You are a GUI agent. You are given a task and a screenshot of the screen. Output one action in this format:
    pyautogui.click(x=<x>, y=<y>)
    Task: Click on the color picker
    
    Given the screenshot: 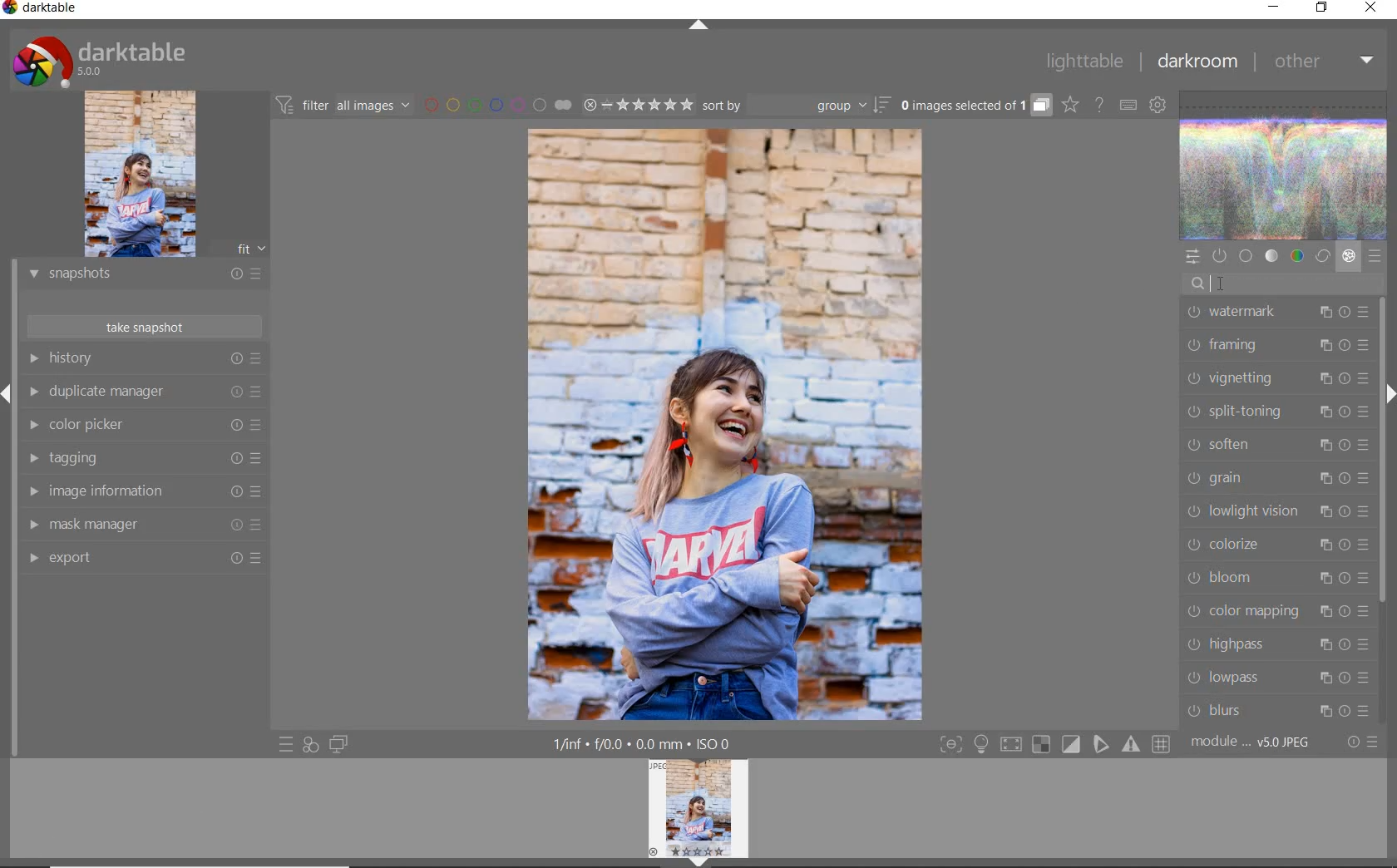 What is the action you would take?
    pyautogui.click(x=141, y=427)
    